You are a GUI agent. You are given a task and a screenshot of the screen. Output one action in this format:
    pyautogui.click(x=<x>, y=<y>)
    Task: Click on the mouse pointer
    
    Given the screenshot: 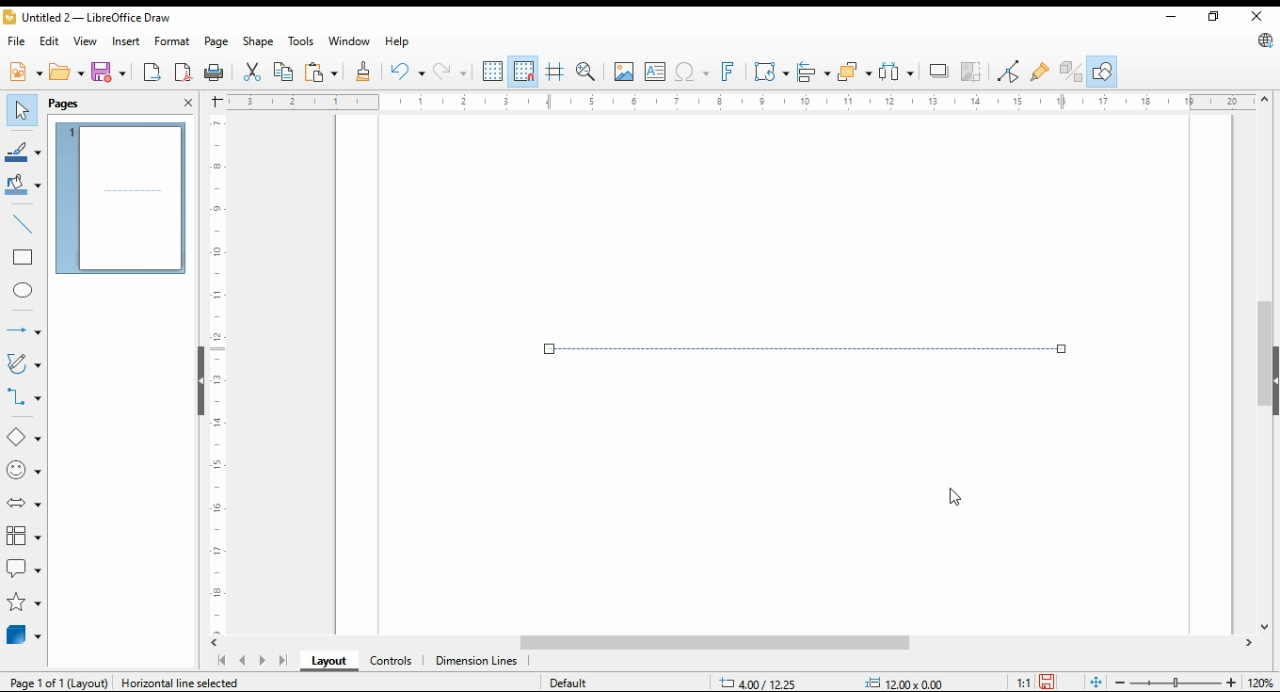 What is the action you would take?
    pyautogui.click(x=952, y=493)
    